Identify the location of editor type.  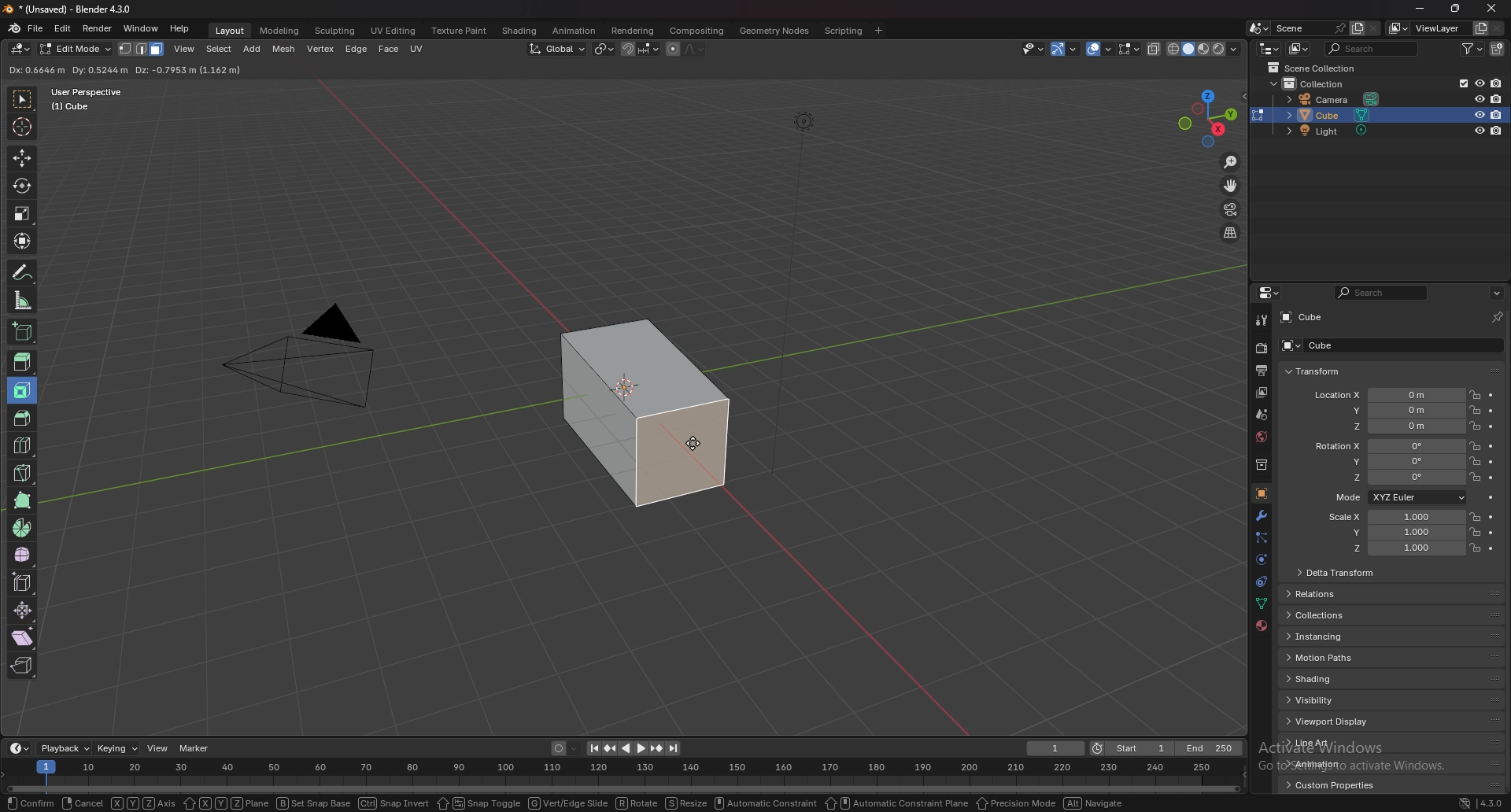
(22, 49).